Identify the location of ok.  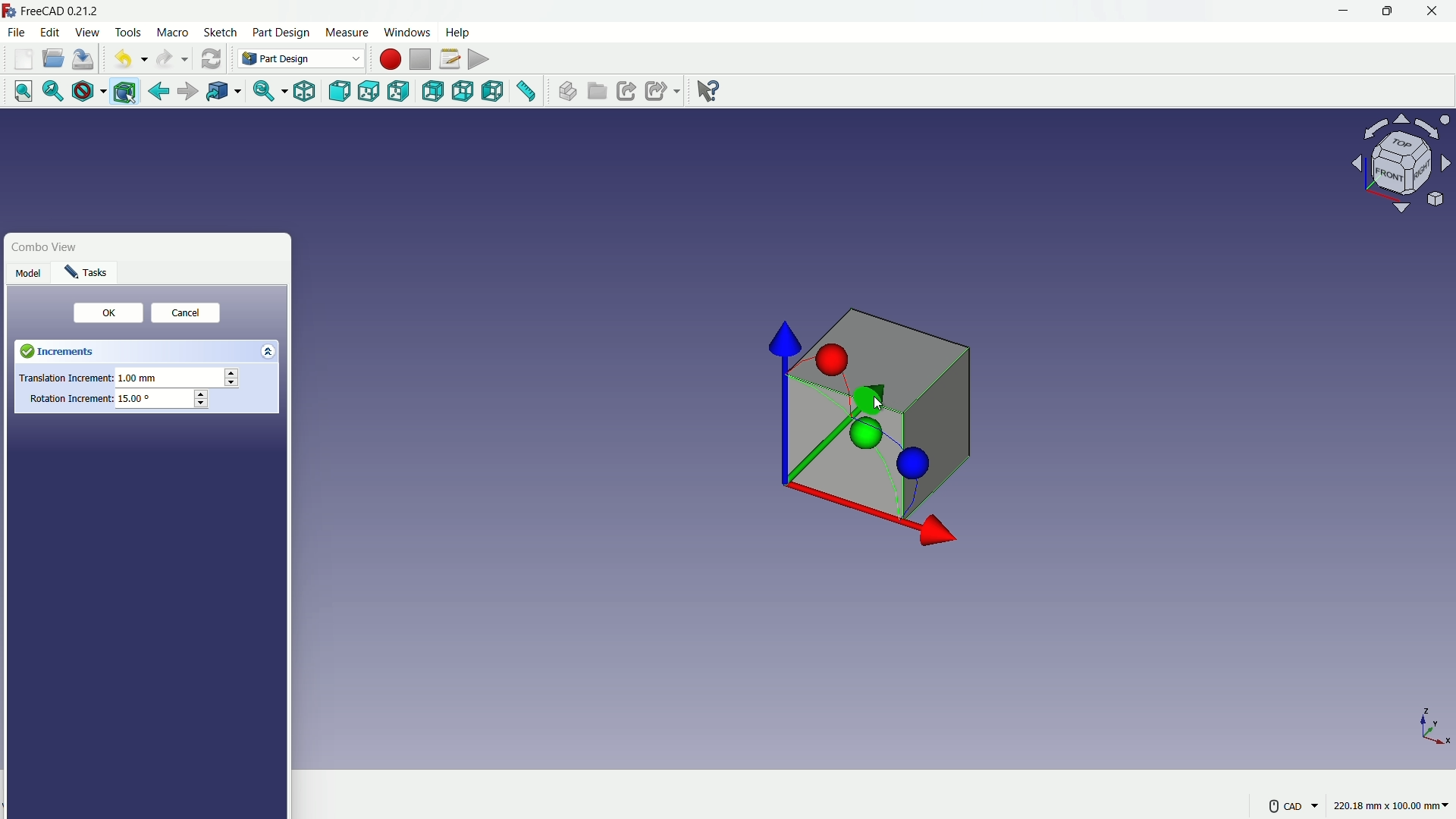
(103, 314).